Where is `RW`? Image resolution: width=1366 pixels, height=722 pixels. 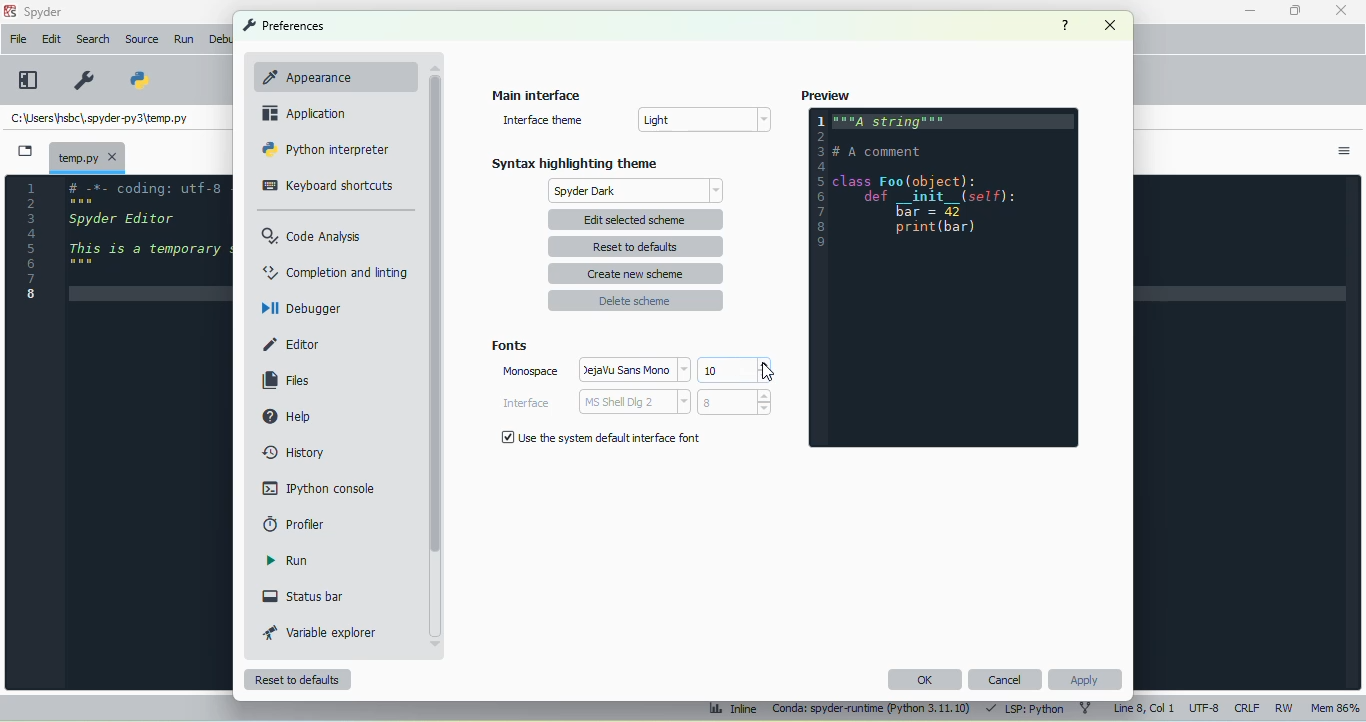
RW is located at coordinates (1285, 707).